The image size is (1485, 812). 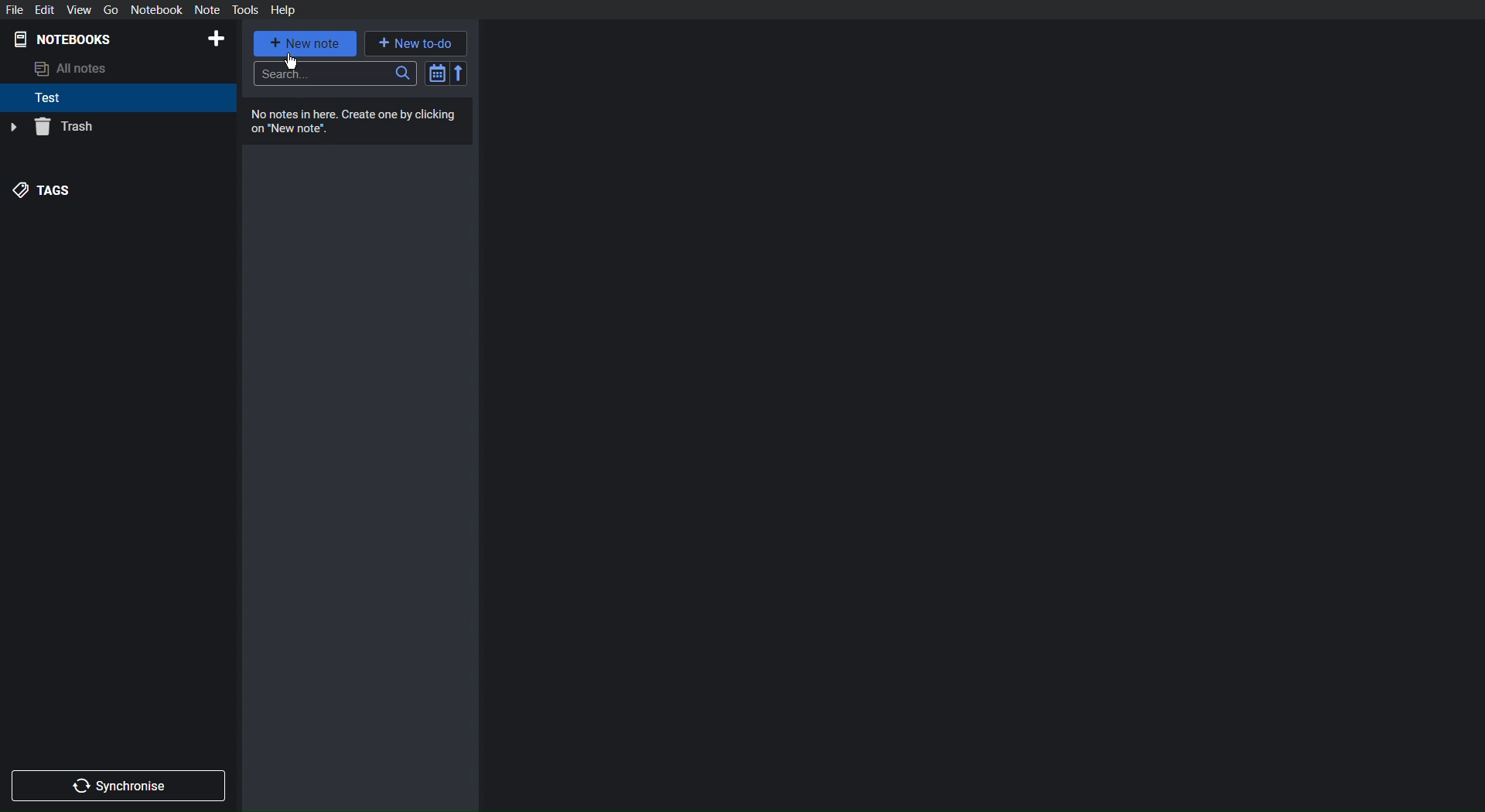 I want to click on View, so click(x=79, y=10).